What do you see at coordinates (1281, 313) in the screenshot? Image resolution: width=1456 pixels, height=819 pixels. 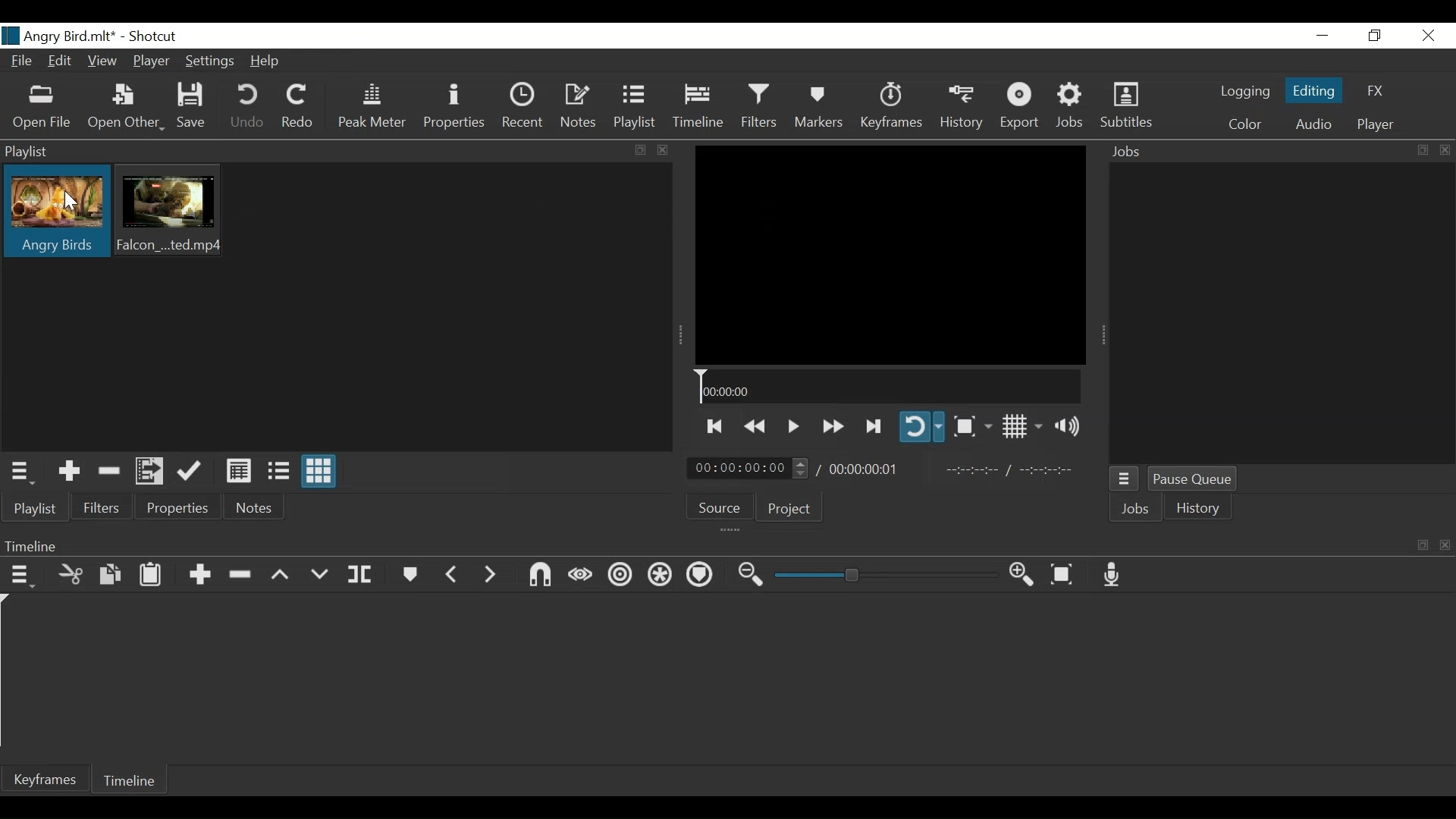 I see `Jobs Panel` at bounding box center [1281, 313].